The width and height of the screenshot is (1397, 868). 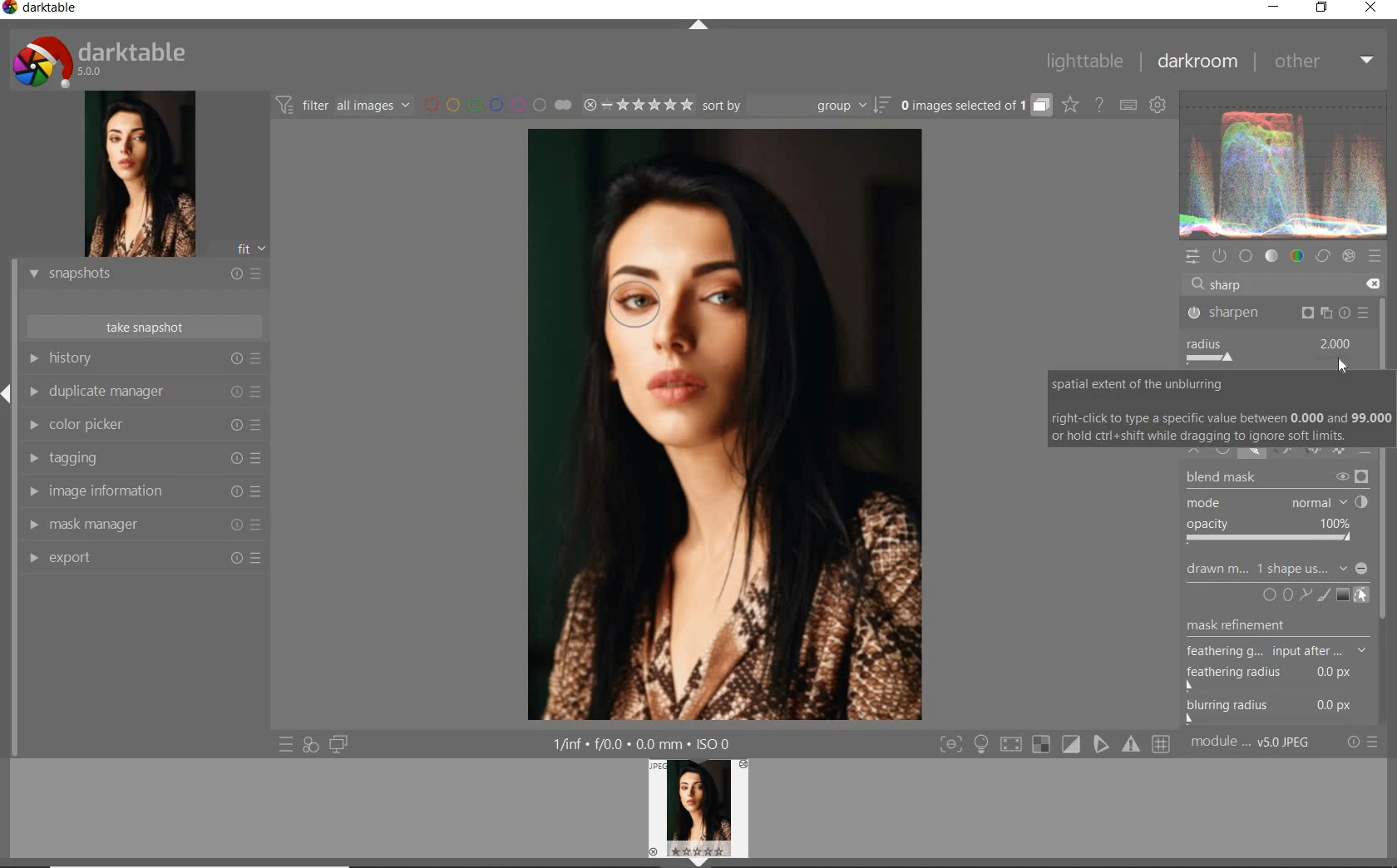 What do you see at coordinates (976, 106) in the screenshot?
I see `grouped images` at bounding box center [976, 106].